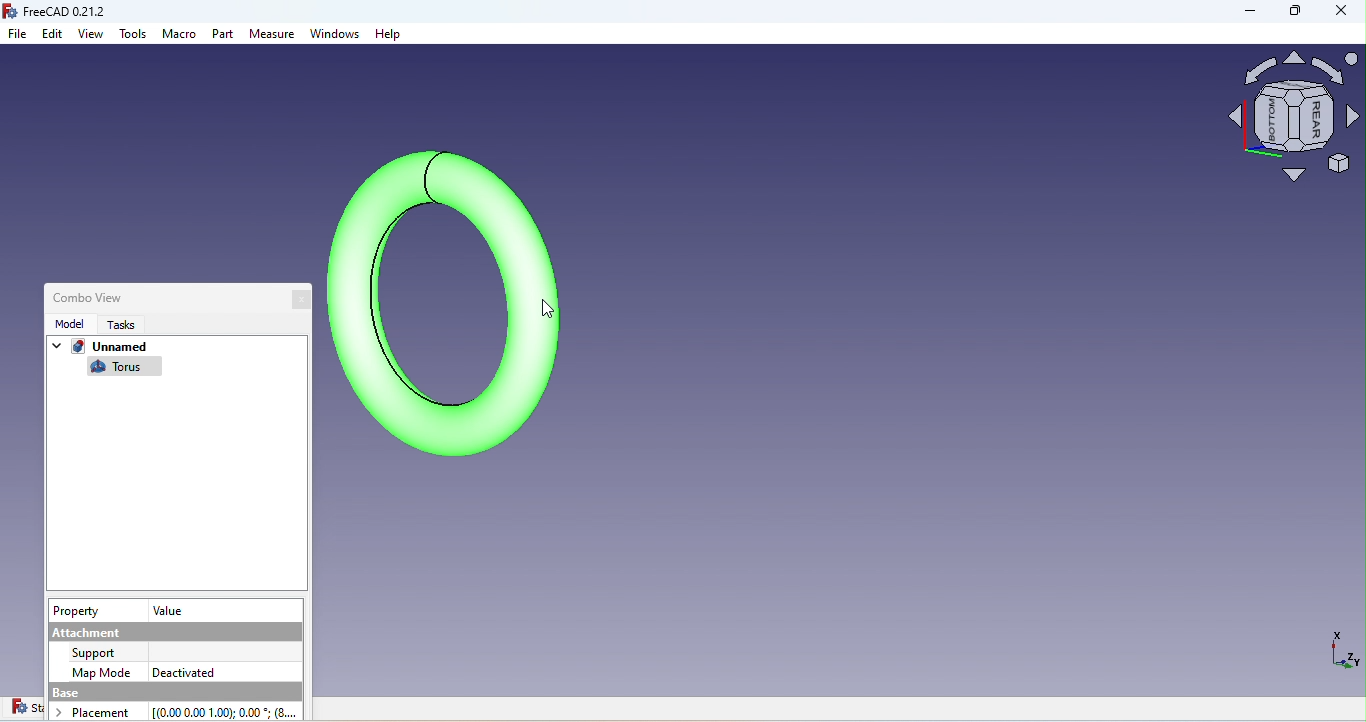 The image size is (1366, 722). Describe the element at coordinates (181, 711) in the screenshot. I see `Placement  [(0.00 0.00 1.00): 0.00 * (8...` at that location.